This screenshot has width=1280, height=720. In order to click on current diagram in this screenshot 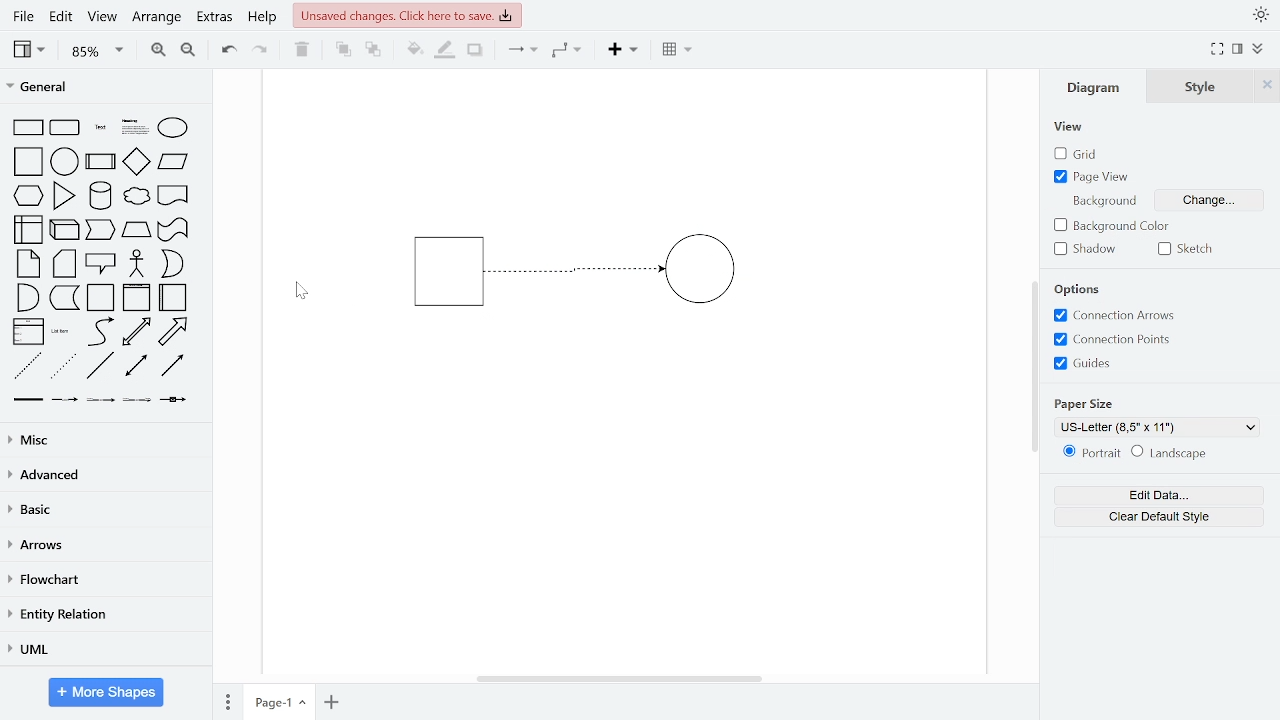, I will do `click(594, 268)`.